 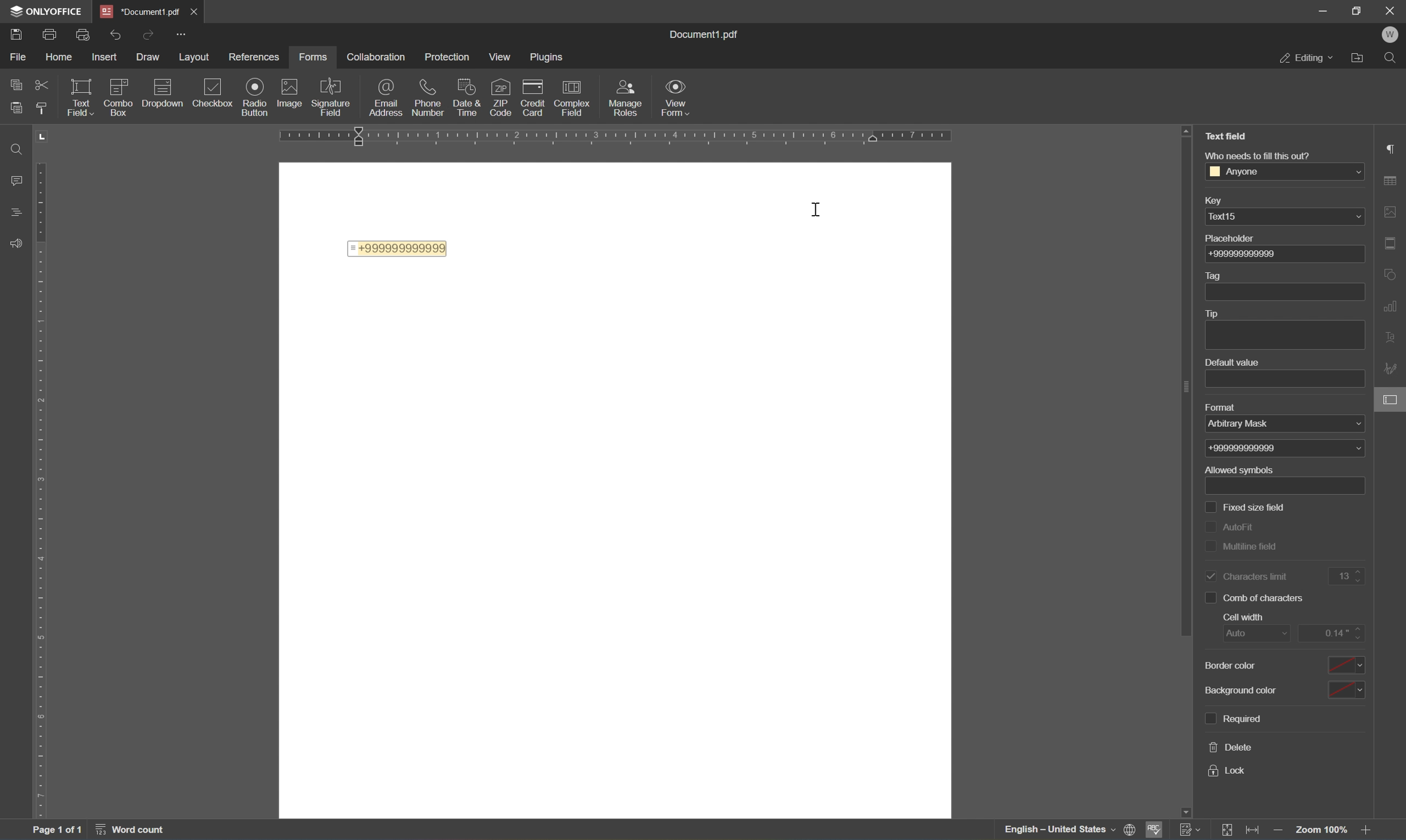 I want to click on cut, so click(x=42, y=85).